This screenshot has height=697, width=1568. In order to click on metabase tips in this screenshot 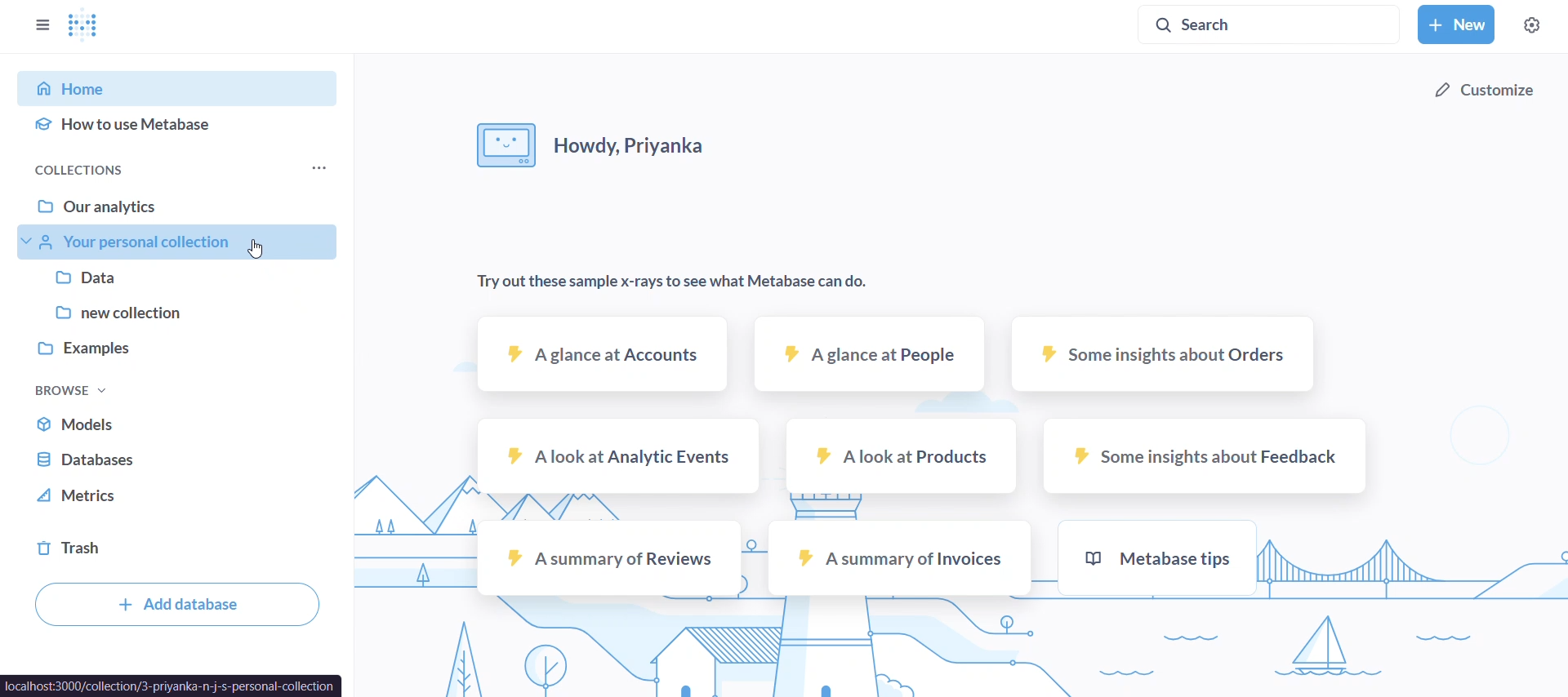, I will do `click(1157, 557)`.